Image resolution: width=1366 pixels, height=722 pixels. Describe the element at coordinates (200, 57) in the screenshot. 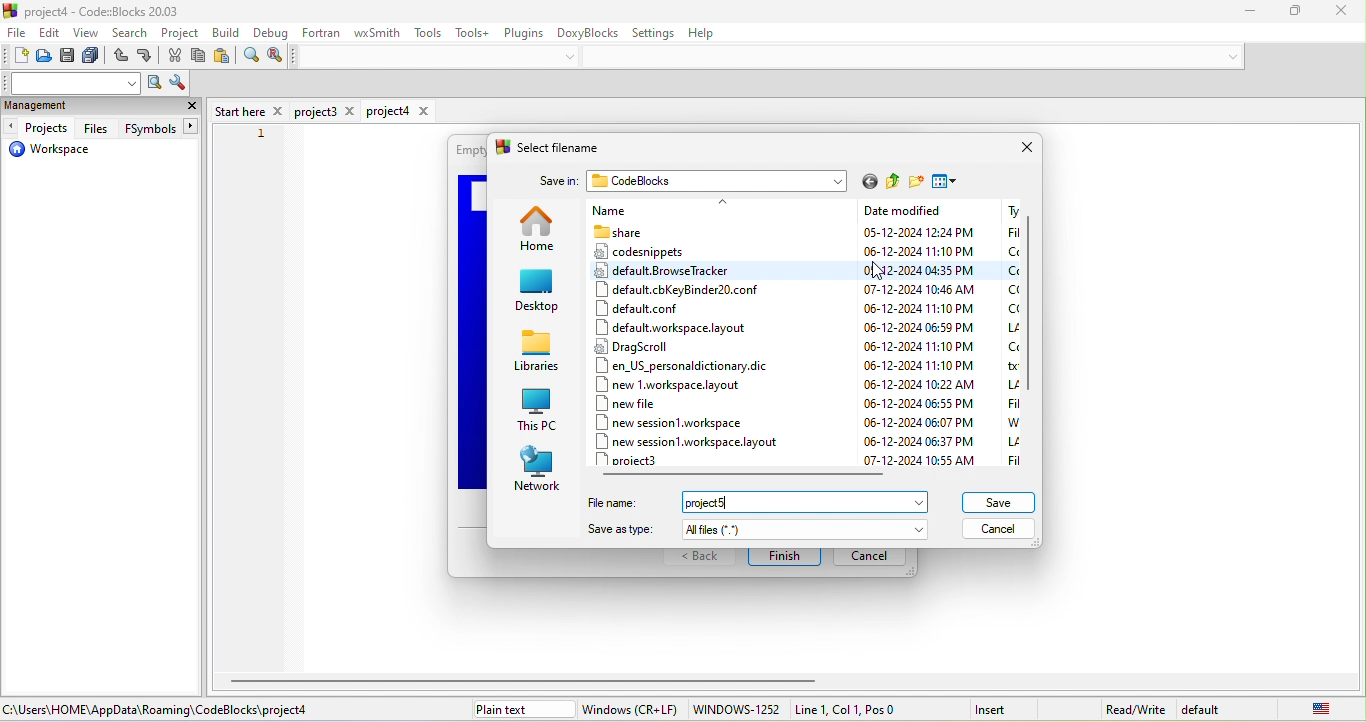

I see `copy` at that location.